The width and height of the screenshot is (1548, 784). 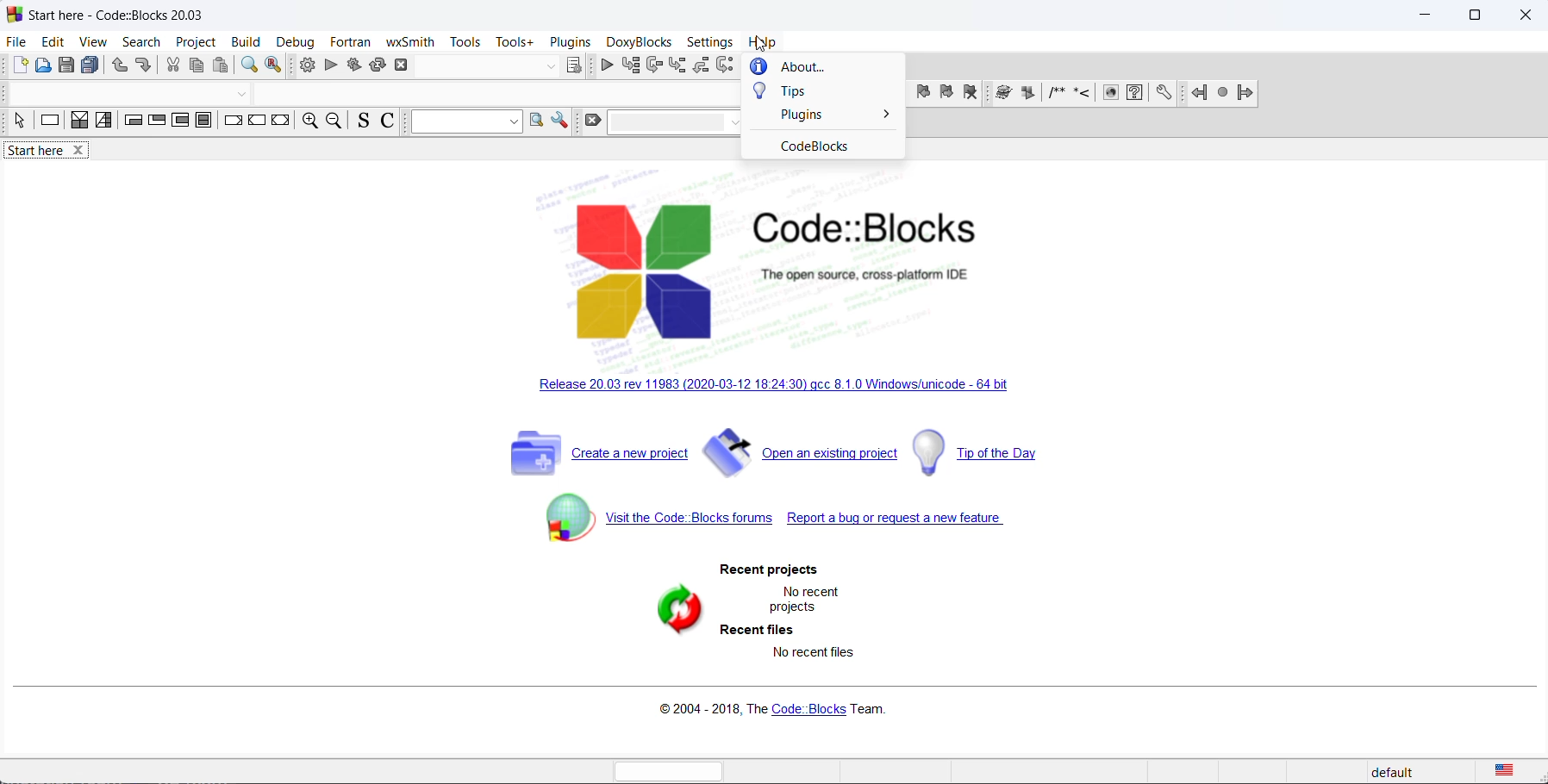 I want to click on start here, so click(x=56, y=152).